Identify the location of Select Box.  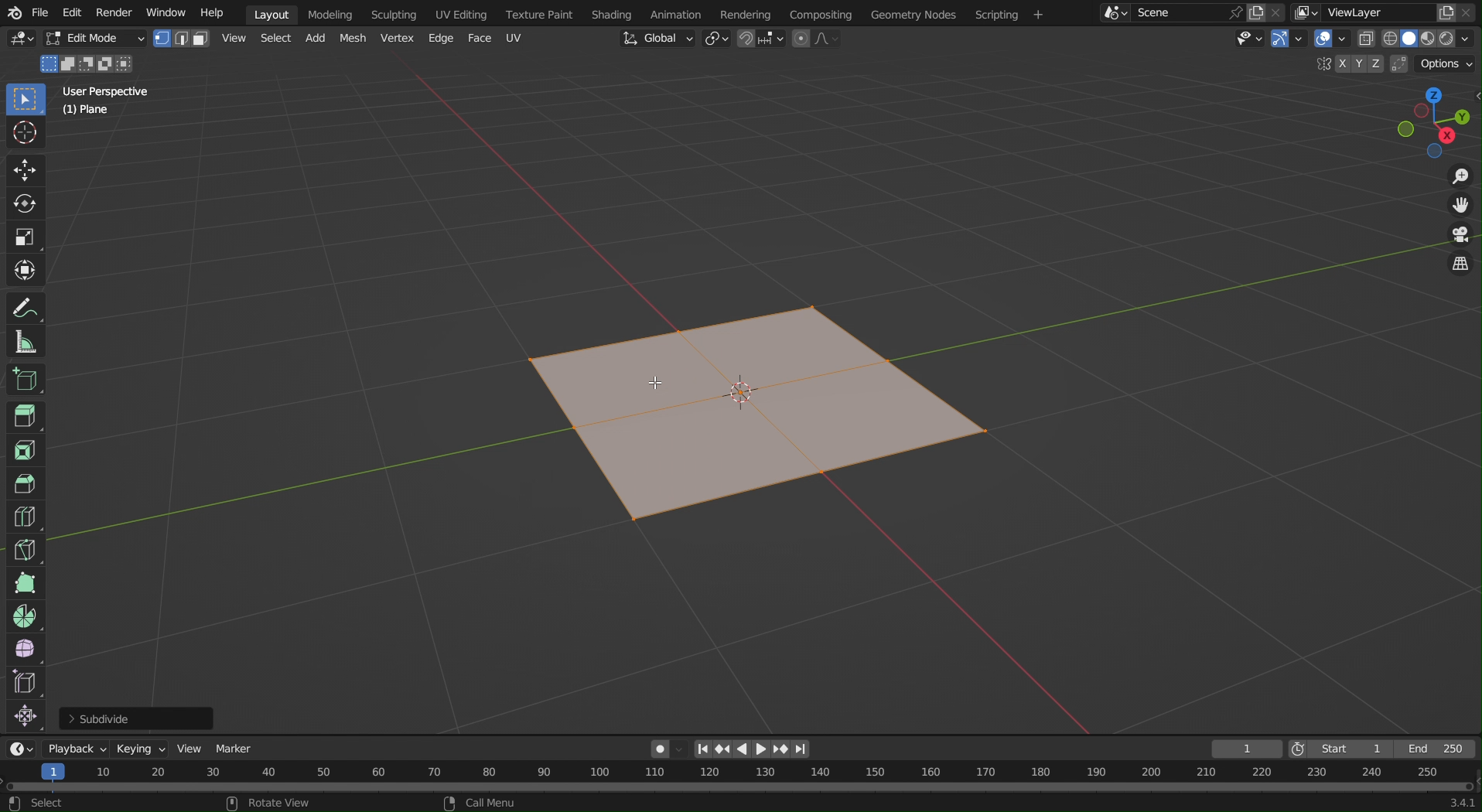
(25, 101).